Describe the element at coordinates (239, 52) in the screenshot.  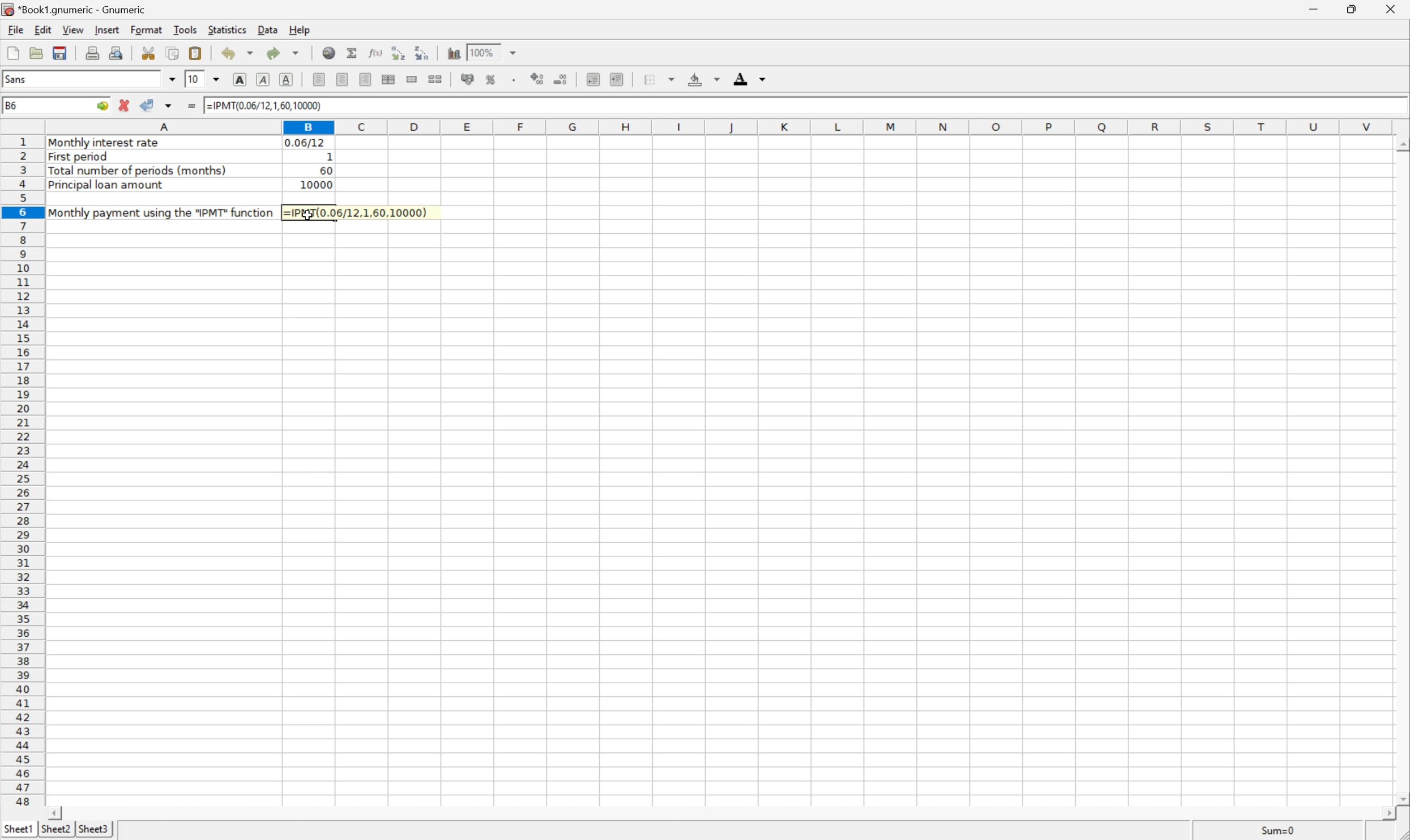
I see `Undo` at that location.